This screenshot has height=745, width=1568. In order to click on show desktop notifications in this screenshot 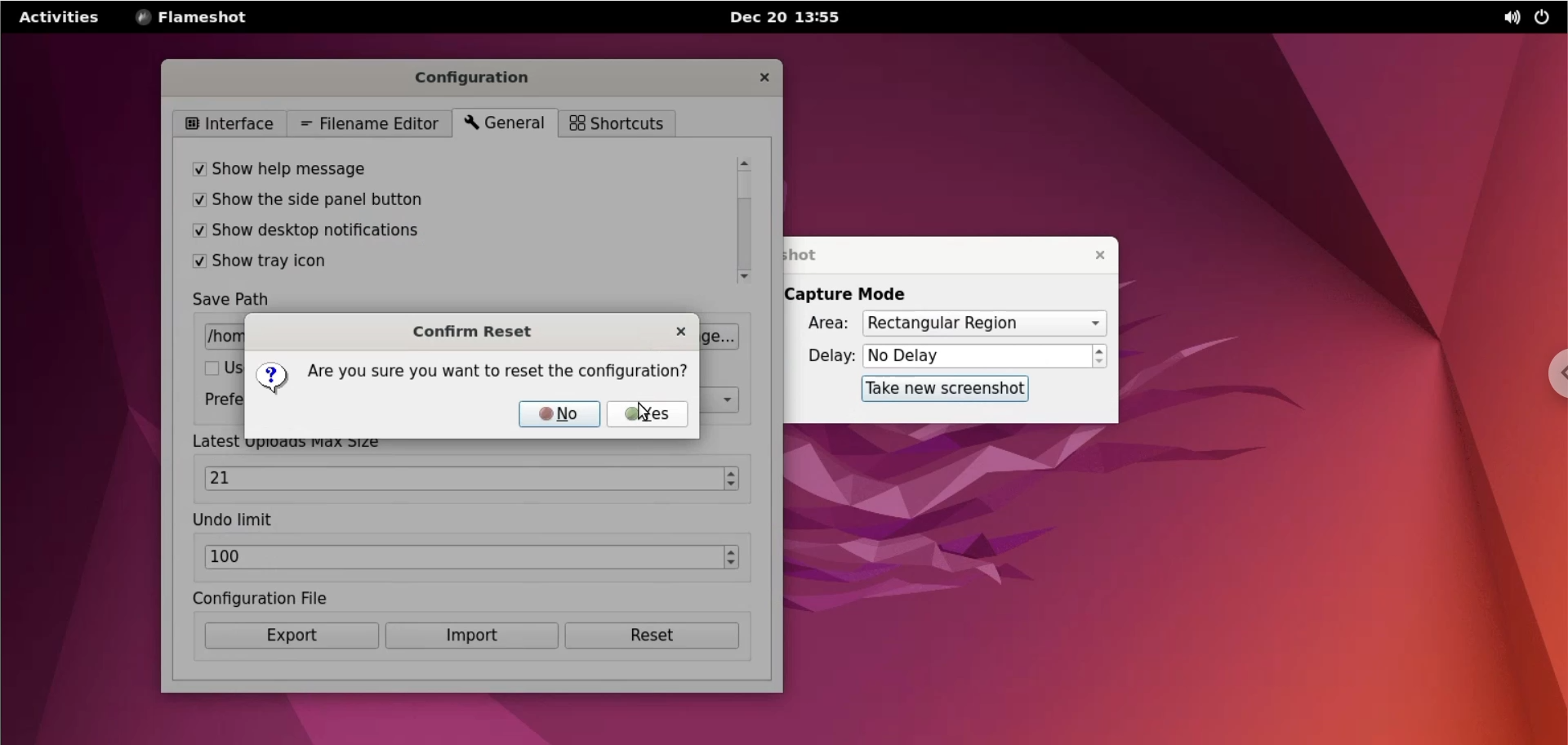, I will do `click(444, 234)`.